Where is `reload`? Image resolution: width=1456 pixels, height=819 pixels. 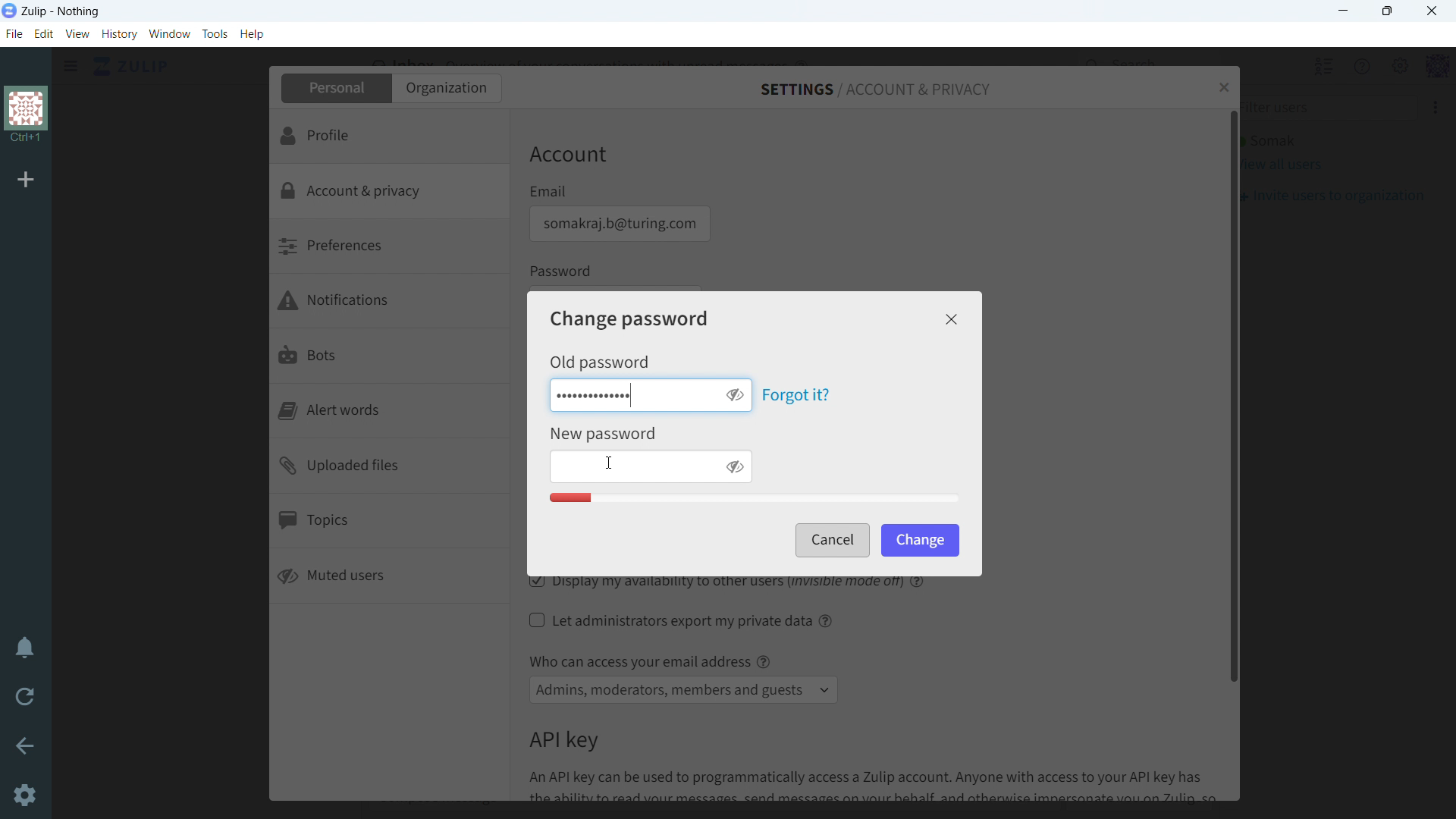
reload is located at coordinates (24, 695).